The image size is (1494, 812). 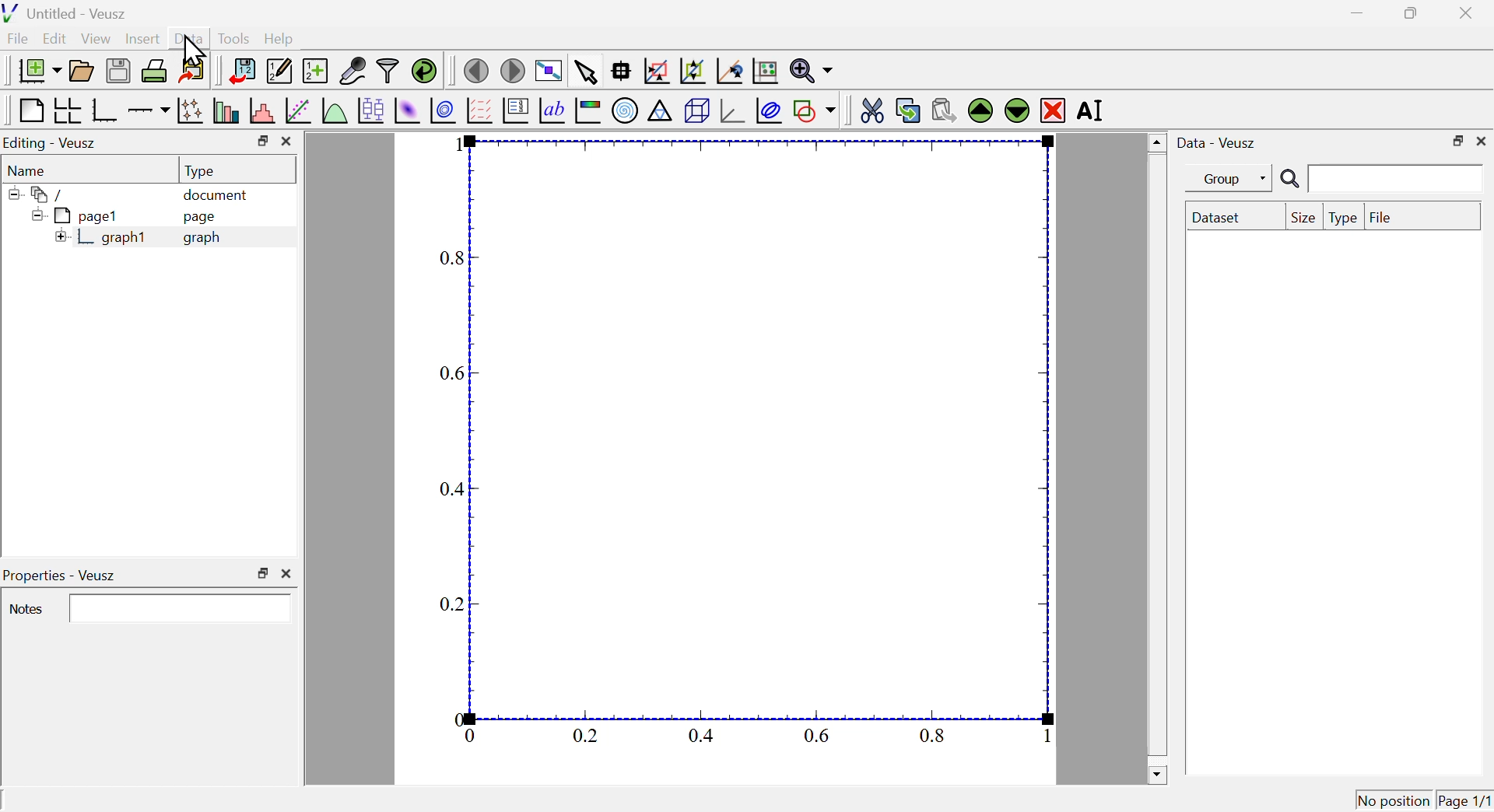 What do you see at coordinates (450, 489) in the screenshot?
I see `0.4` at bounding box center [450, 489].